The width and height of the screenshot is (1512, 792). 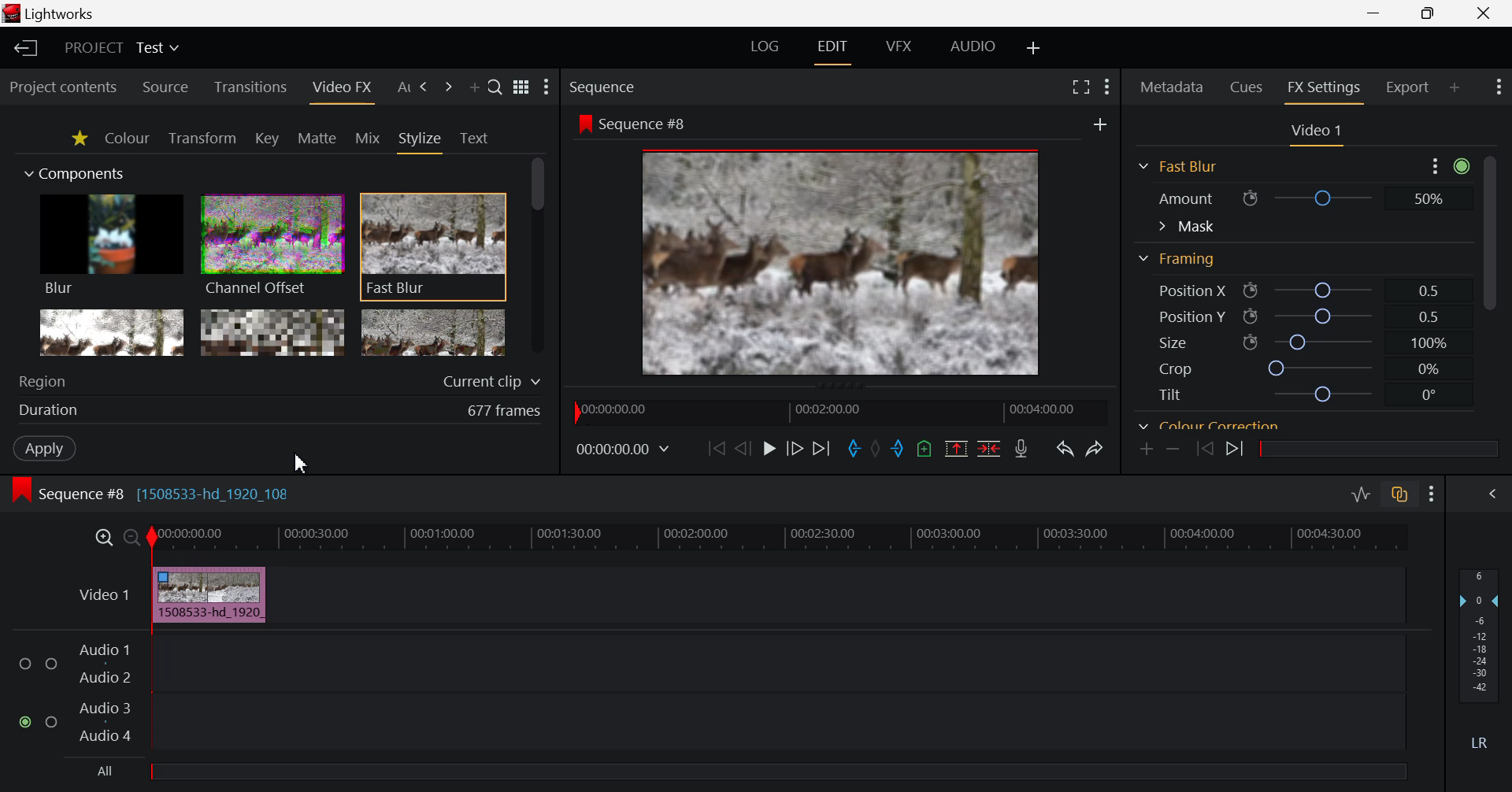 I want to click on Close, so click(x=1483, y=13).